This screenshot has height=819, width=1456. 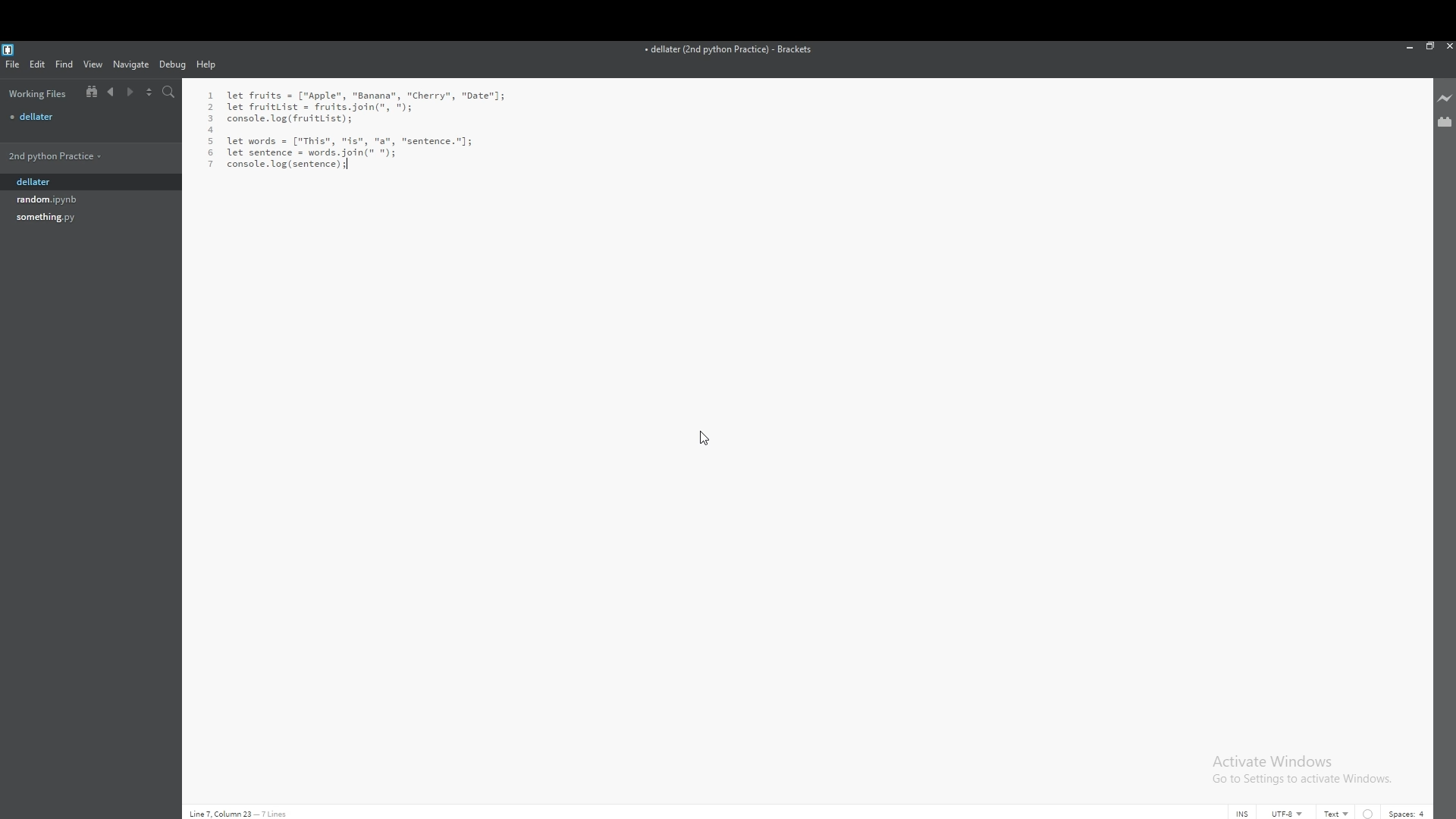 What do you see at coordinates (93, 64) in the screenshot?
I see `view` at bounding box center [93, 64].